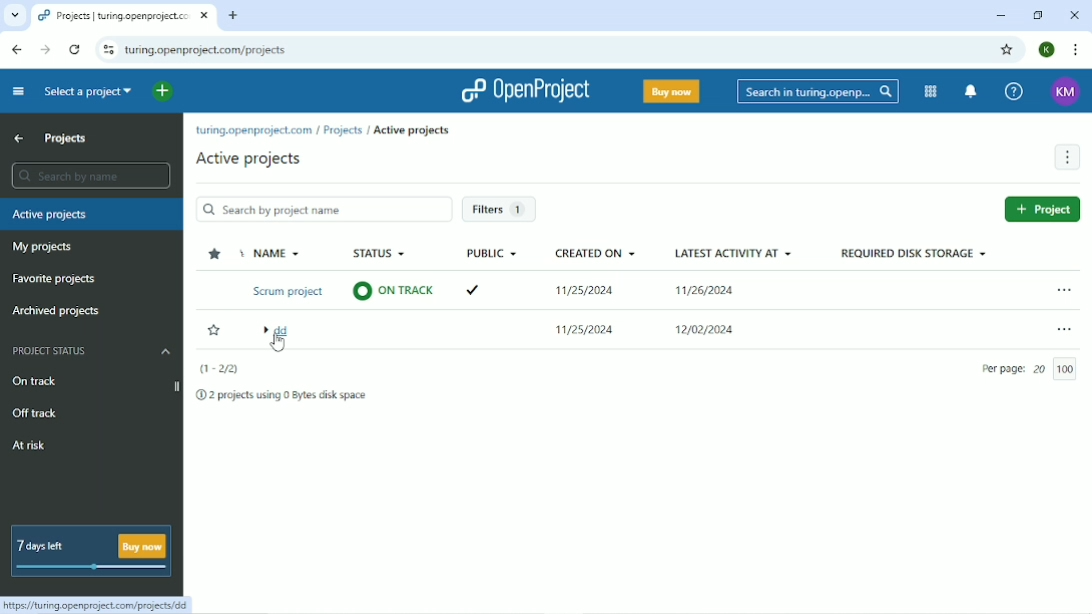 This screenshot has width=1092, height=614. Describe the element at coordinates (107, 51) in the screenshot. I see `View site information` at that location.